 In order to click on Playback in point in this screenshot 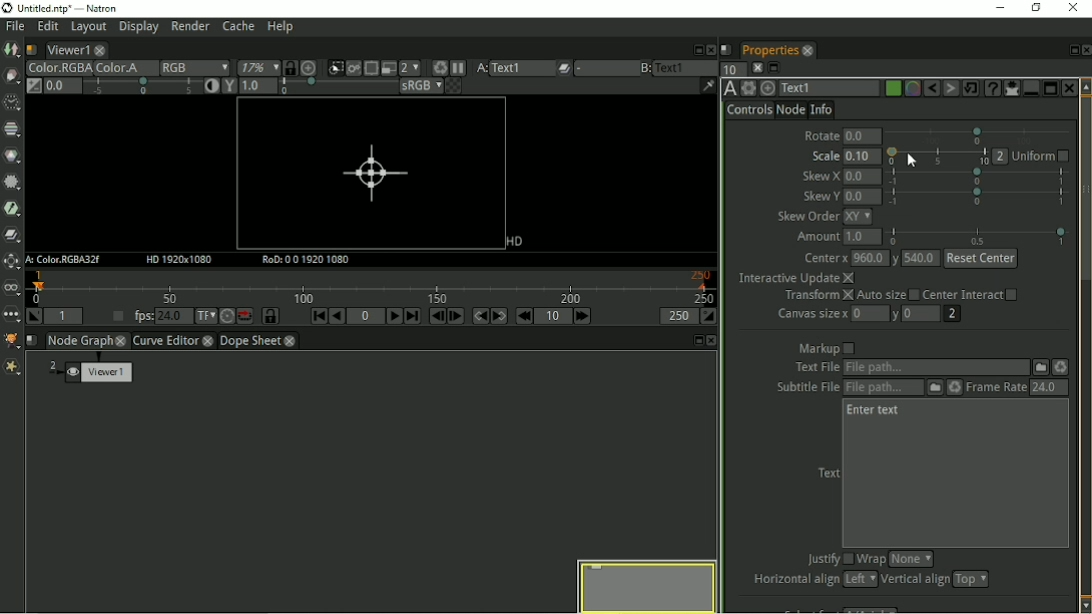, I will do `click(64, 316)`.